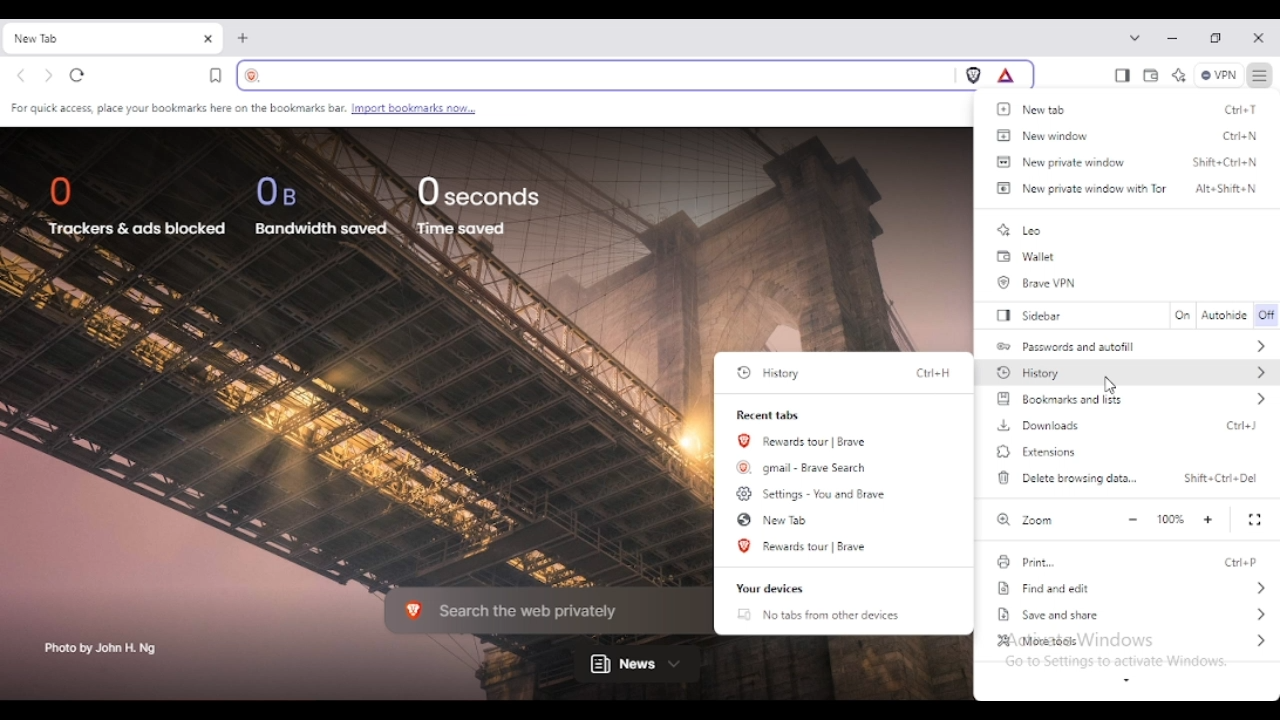 The height and width of the screenshot is (720, 1280). What do you see at coordinates (770, 589) in the screenshot?
I see `your devices` at bounding box center [770, 589].